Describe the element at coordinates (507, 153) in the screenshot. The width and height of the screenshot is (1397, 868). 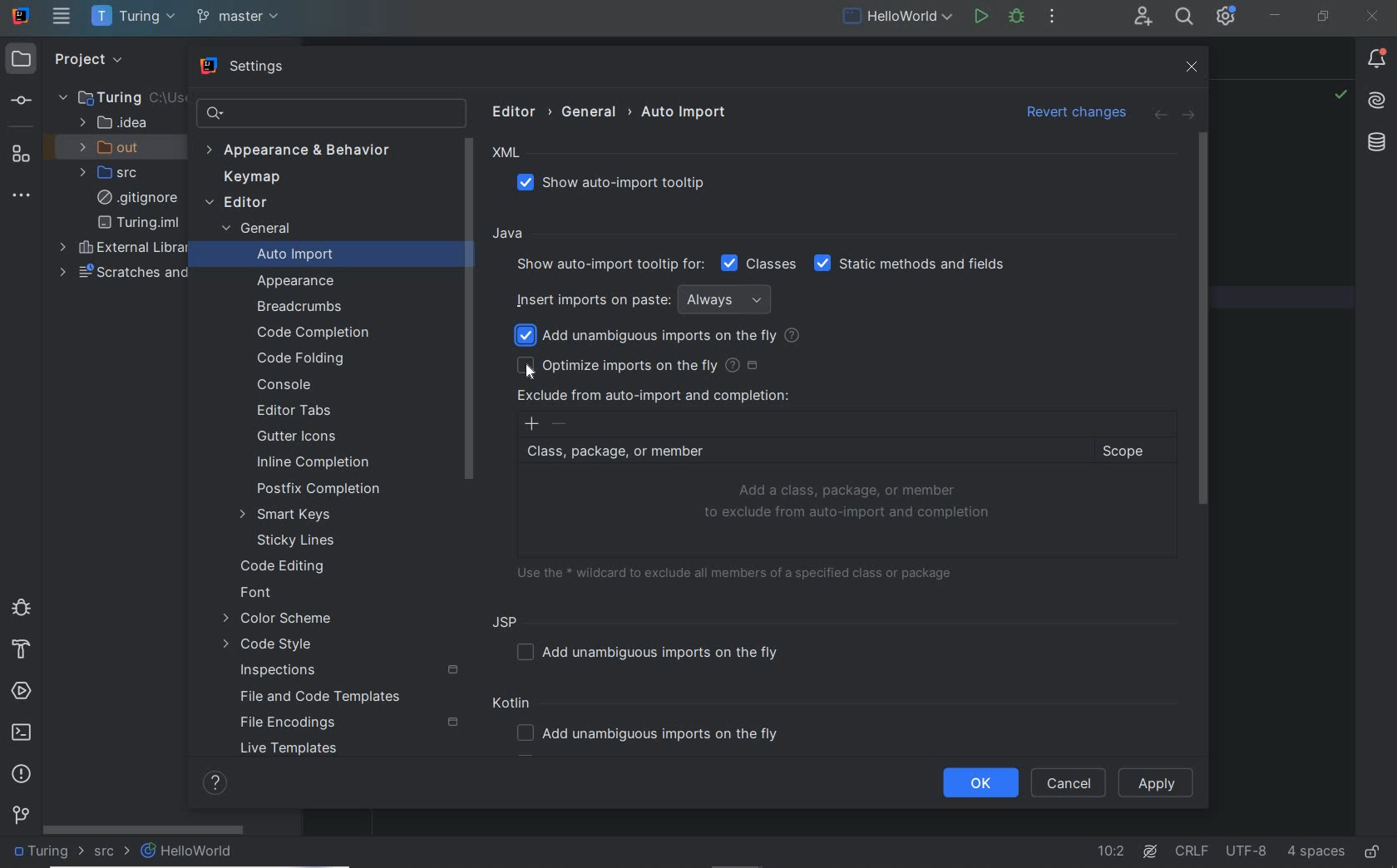
I see `XML` at that location.